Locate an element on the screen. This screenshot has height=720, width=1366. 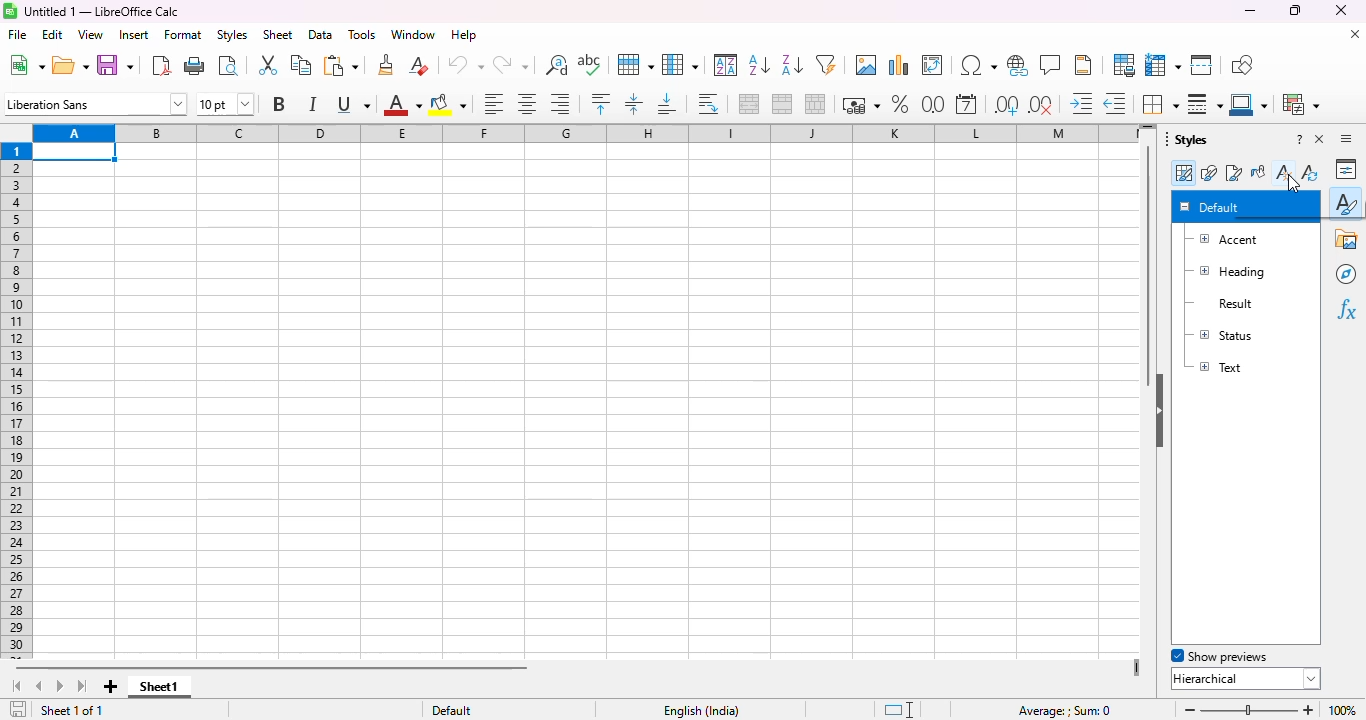
properties is located at coordinates (1347, 169).